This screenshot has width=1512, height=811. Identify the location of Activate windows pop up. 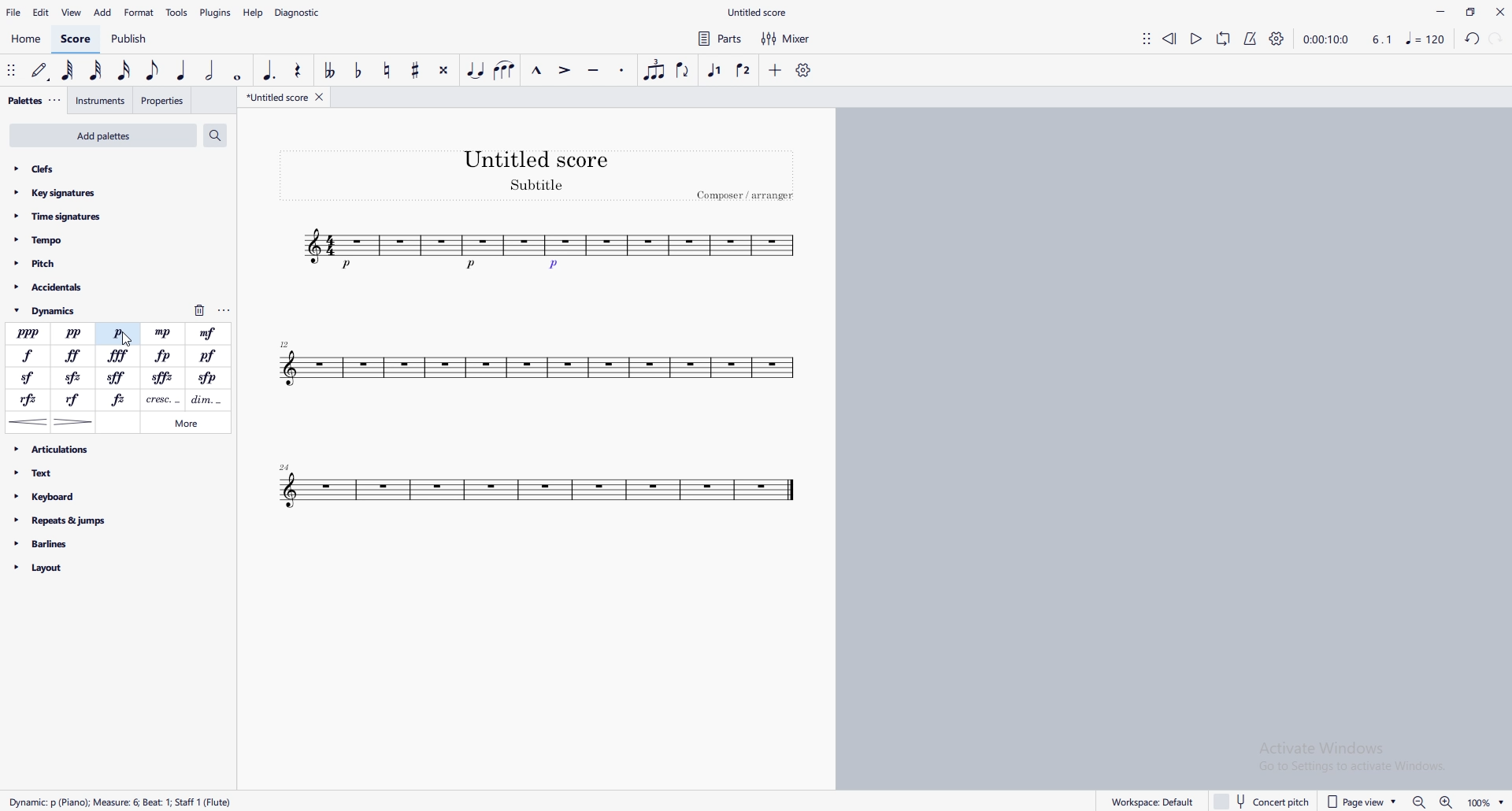
(1364, 760).